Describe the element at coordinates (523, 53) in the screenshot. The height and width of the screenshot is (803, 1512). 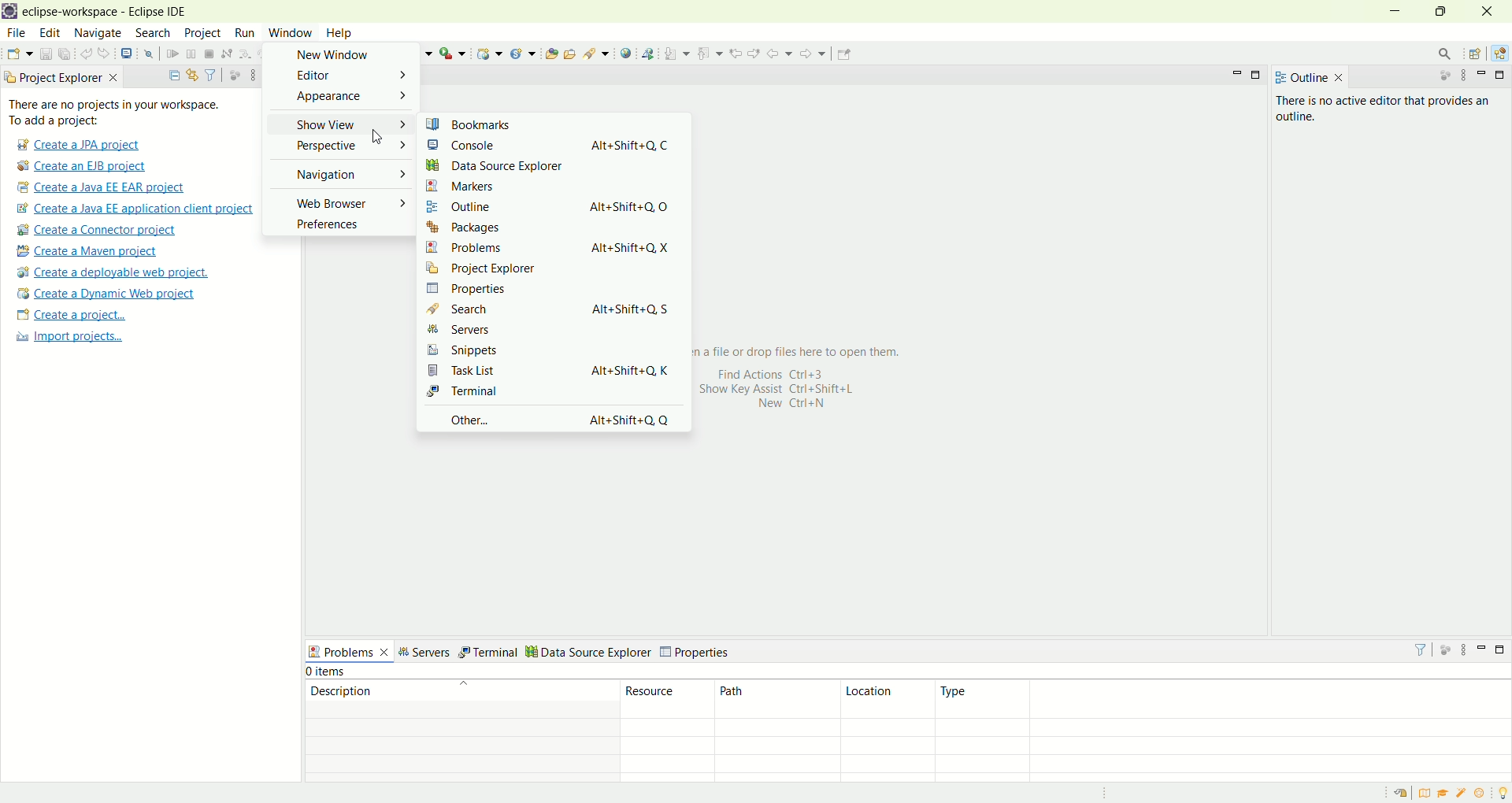
I see `create a new Java servlet` at that location.